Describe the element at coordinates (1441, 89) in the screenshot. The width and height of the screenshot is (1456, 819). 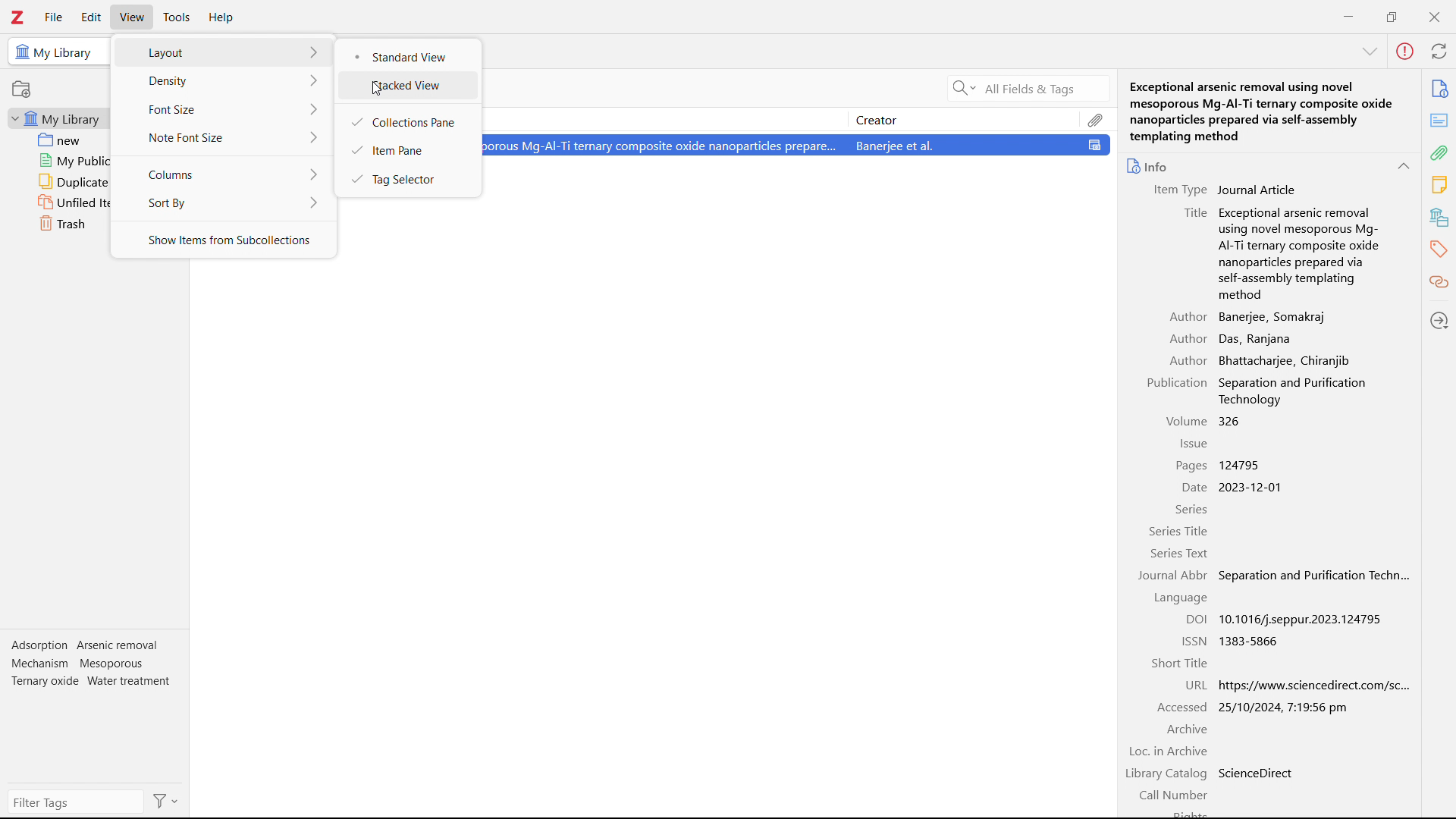
I see `info` at that location.